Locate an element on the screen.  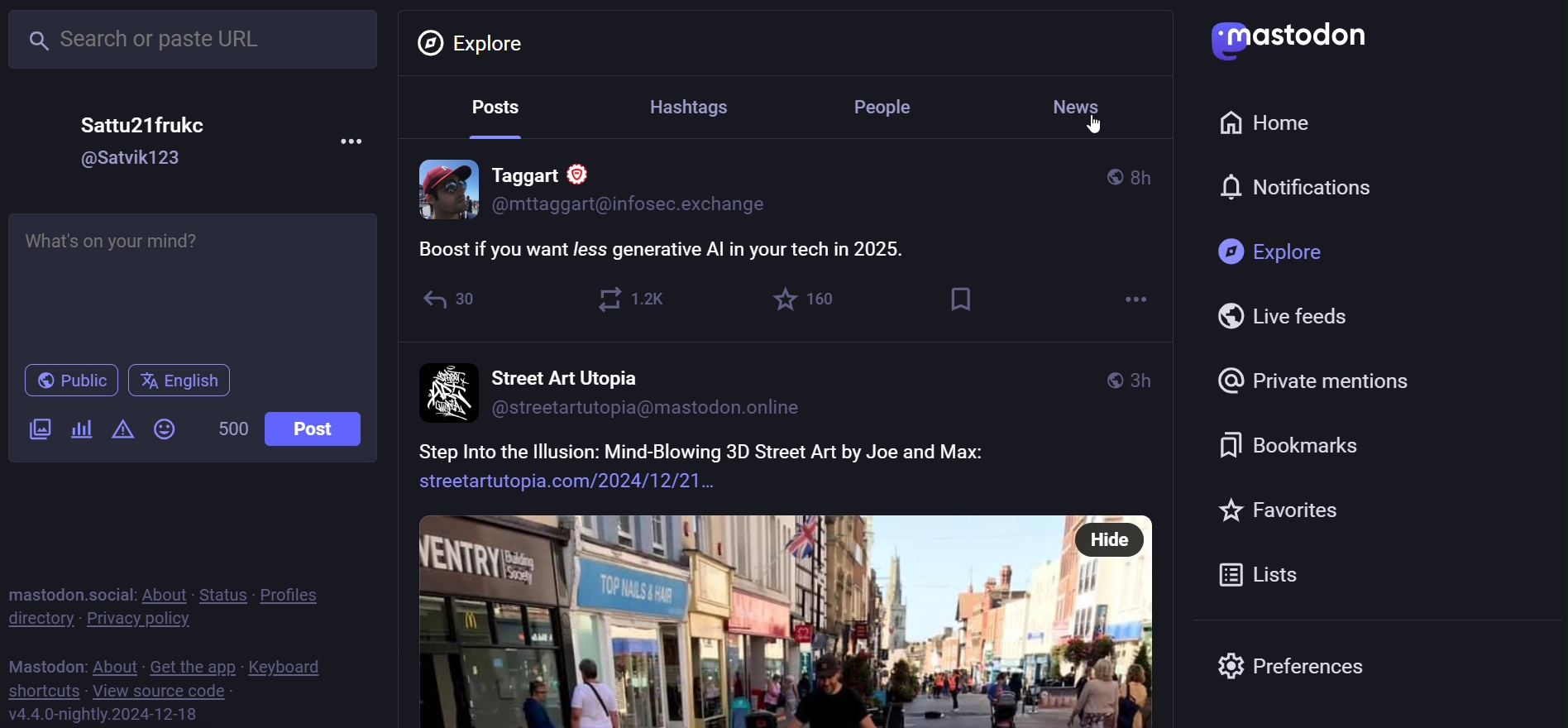
search or paste URL is located at coordinates (194, 40).